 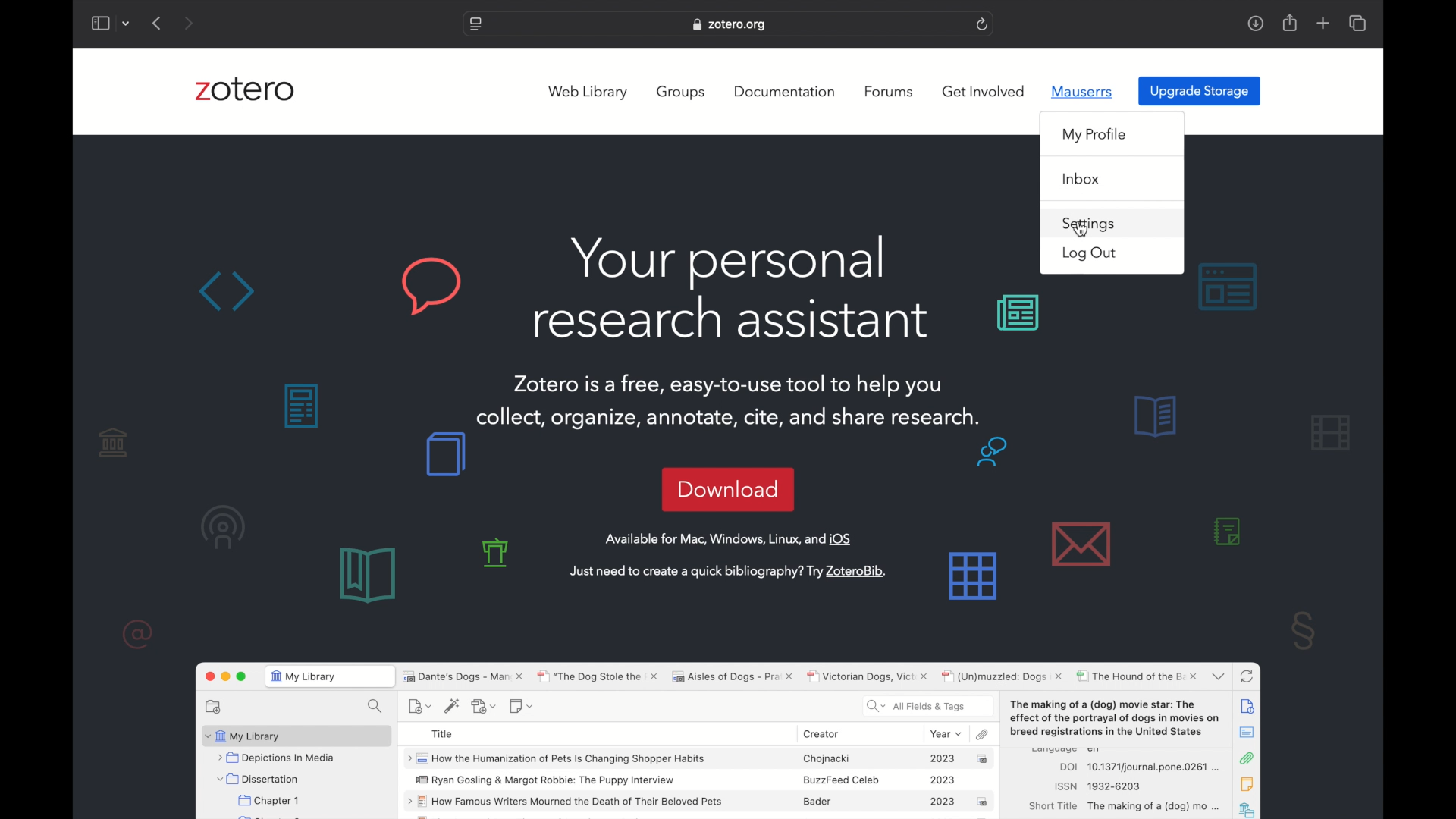 I want to click on your personal research assistant, so click(x=731, y=287).